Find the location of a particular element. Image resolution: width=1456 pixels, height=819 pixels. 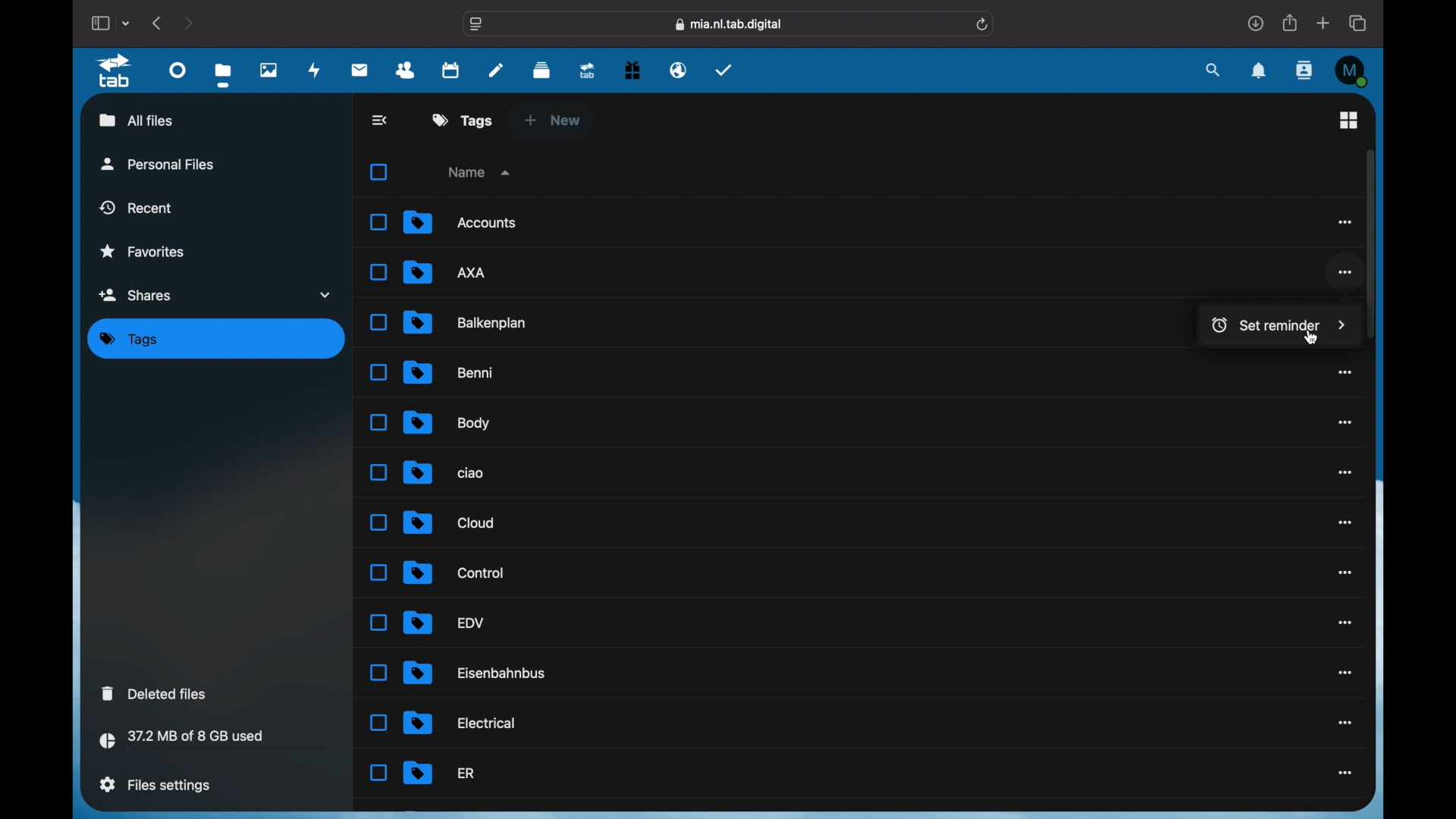

file is located at coordinates (447, 272).